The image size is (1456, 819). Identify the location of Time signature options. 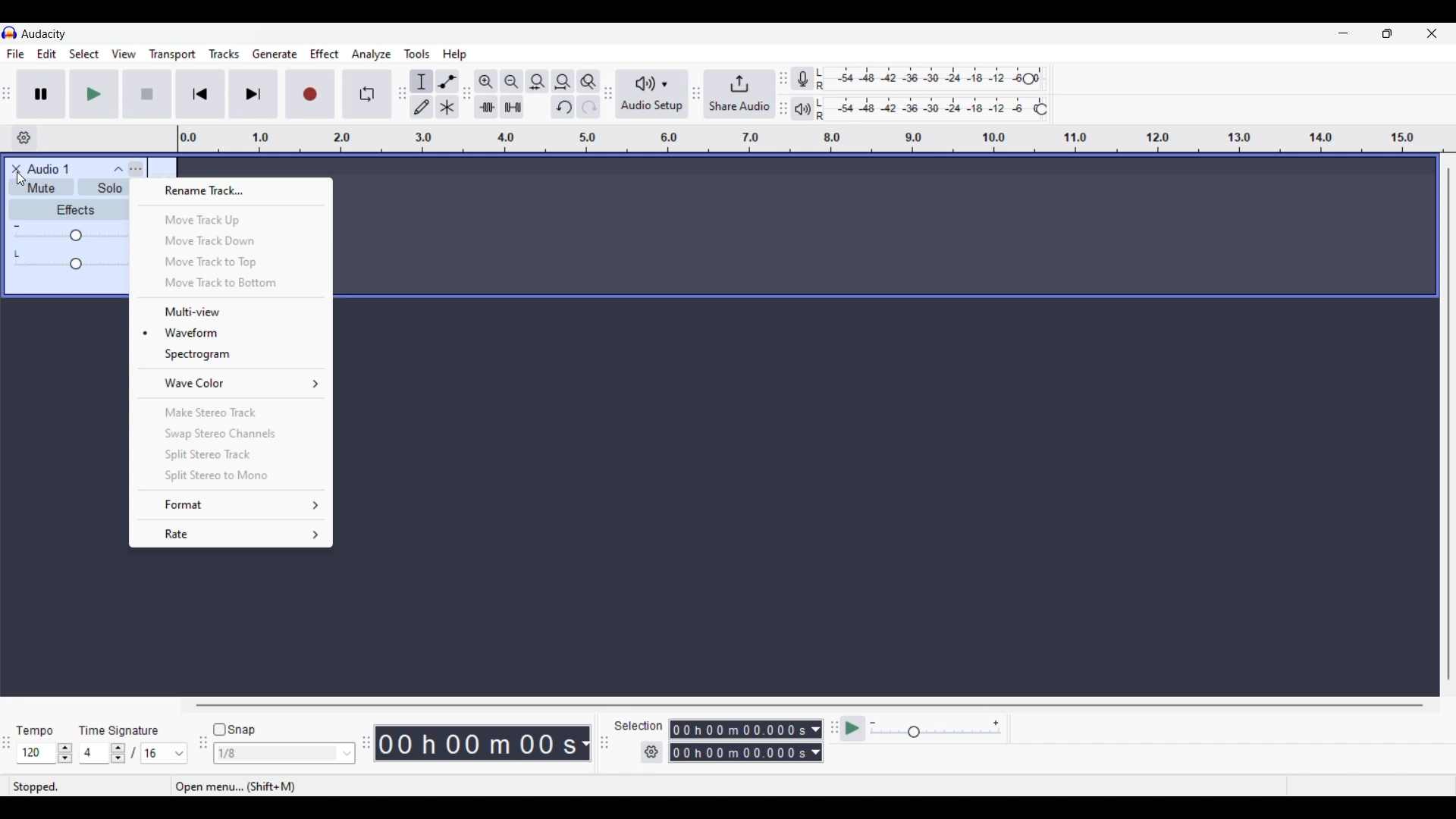
(180, 754).